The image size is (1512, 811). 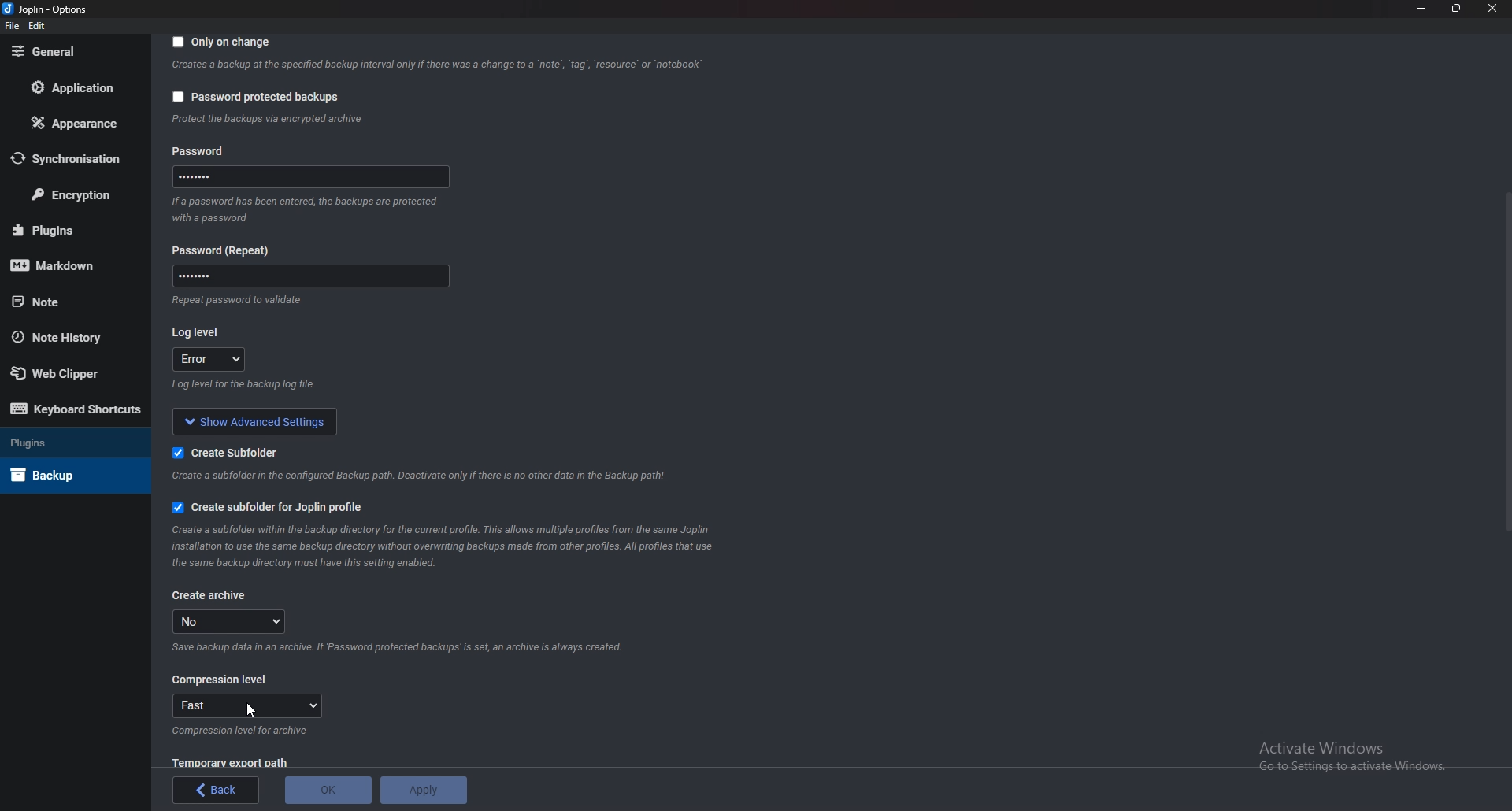 I want to click on Note history, so click(x=69, y=336).